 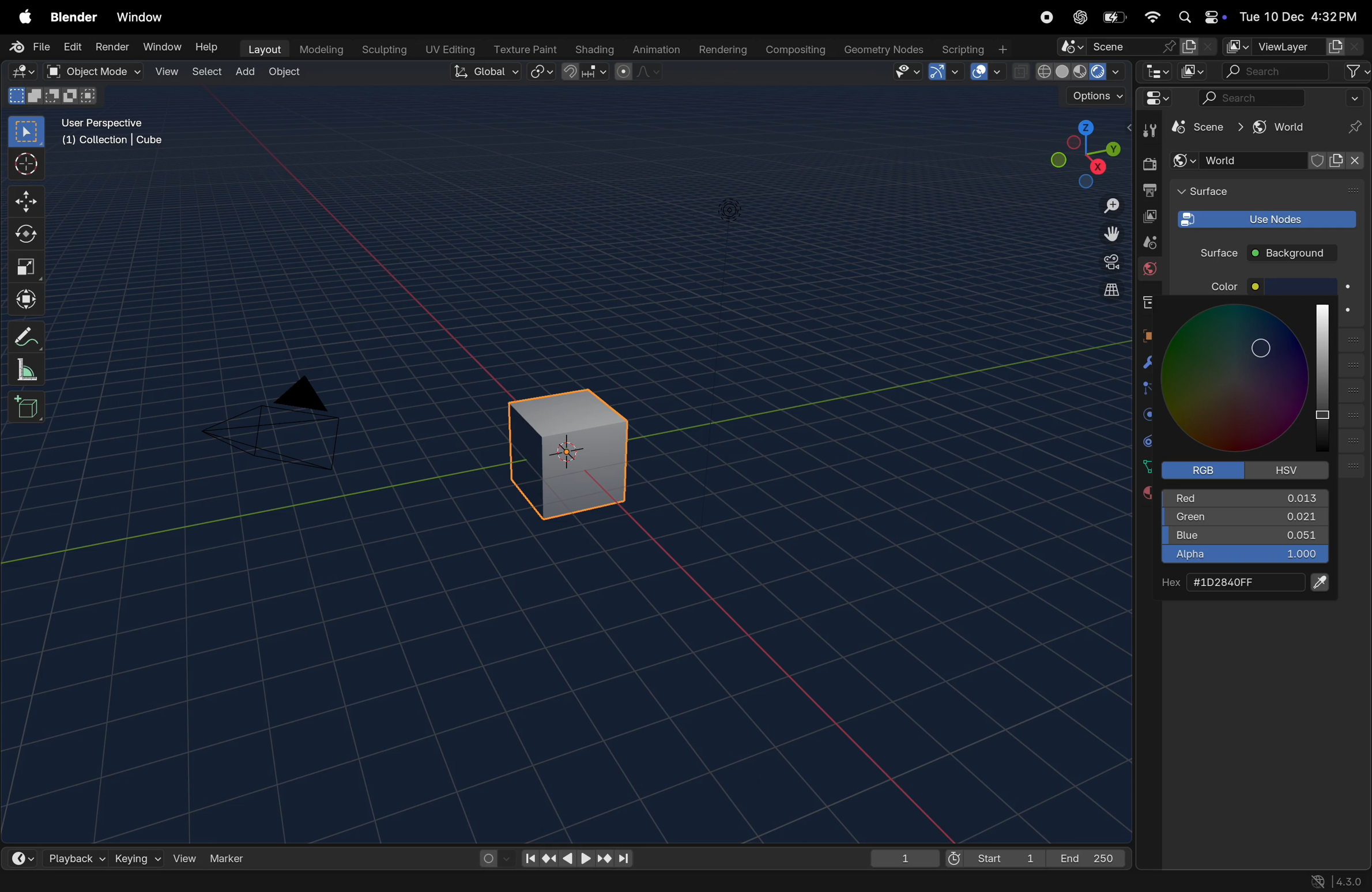 What do you see at coordinates (576, 448) in the screenshot?
I see `3d cube` at bounding box center [576, 448].